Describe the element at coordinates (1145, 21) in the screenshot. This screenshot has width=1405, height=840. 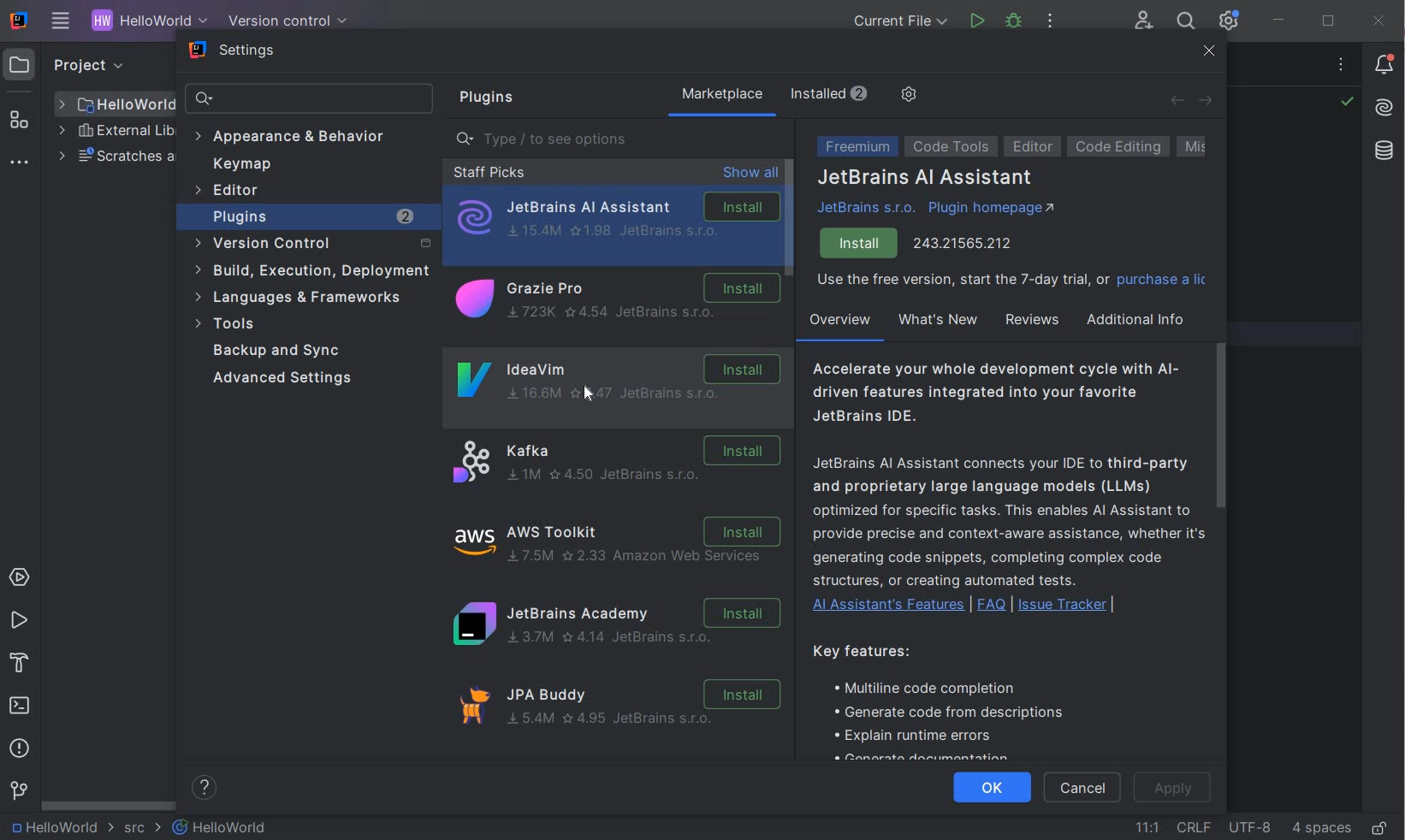
I see `CODE WITH ME` at that location.